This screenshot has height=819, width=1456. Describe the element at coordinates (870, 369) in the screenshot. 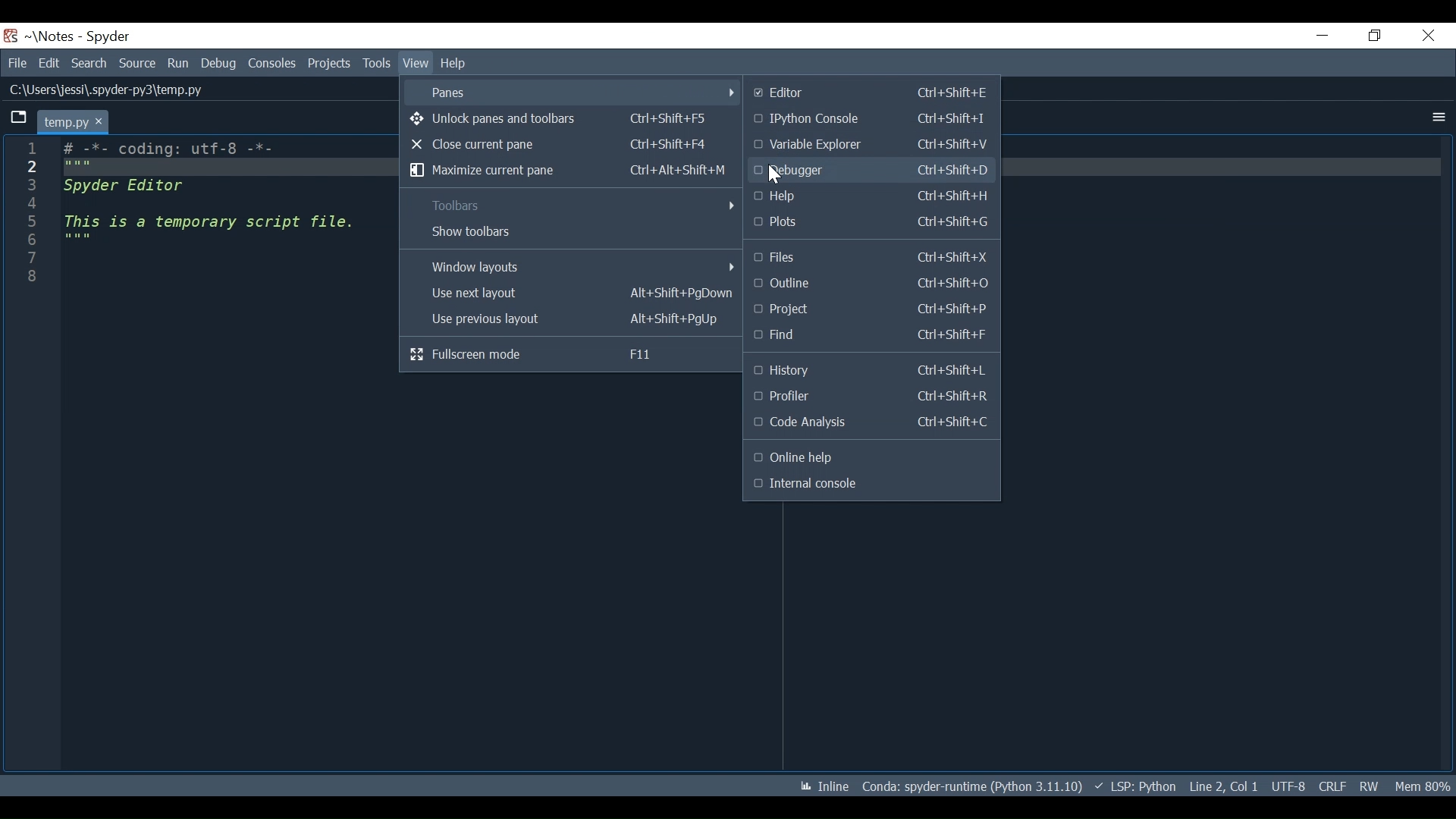

I see `History` at that location.